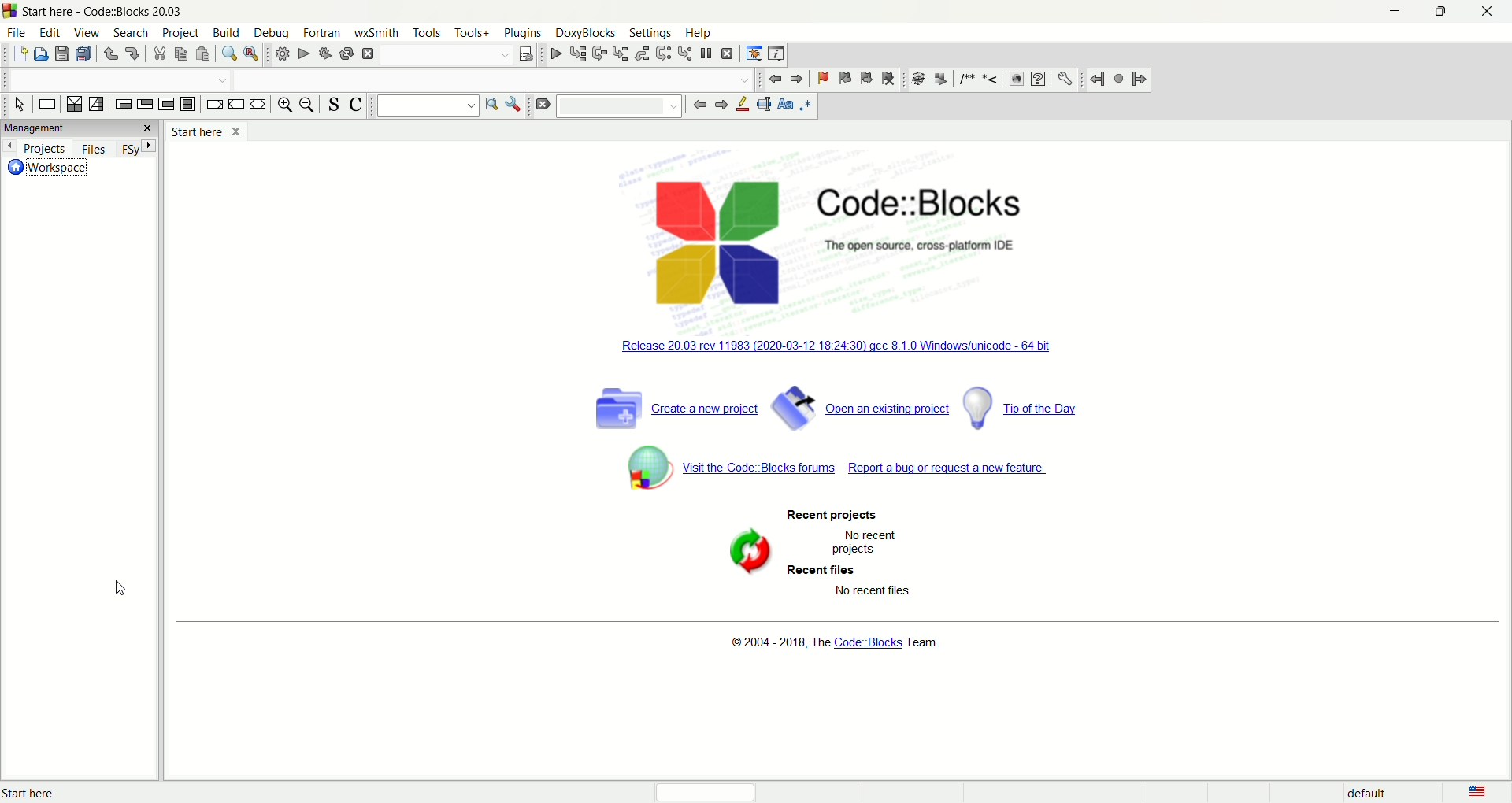 The width and height of the screenshot is (1512, 803). I want to click on rebuild, so click(346, 54).